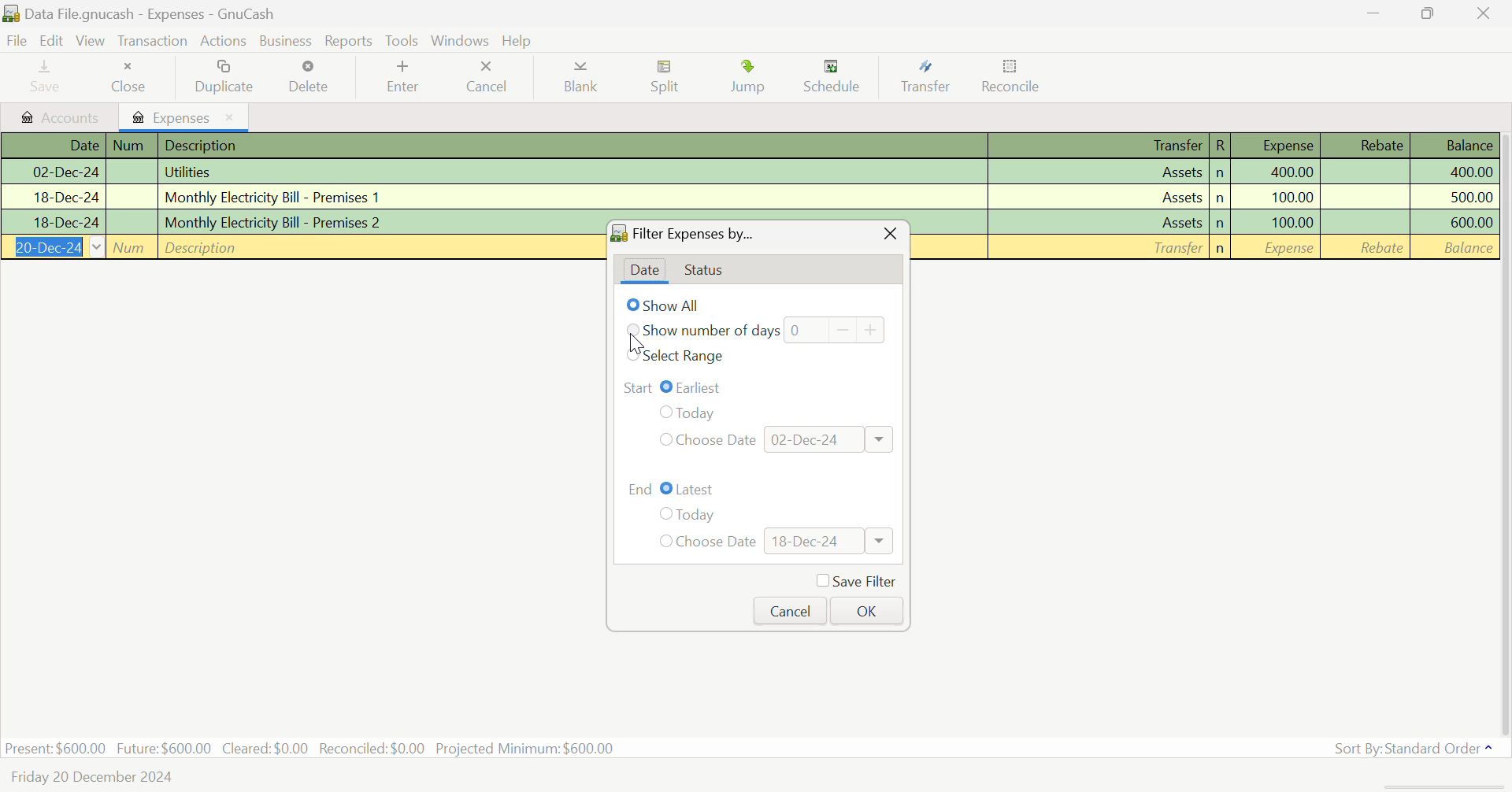 This screenshot has width=1512, height=792. I want to click on Close, so click(133, 77).